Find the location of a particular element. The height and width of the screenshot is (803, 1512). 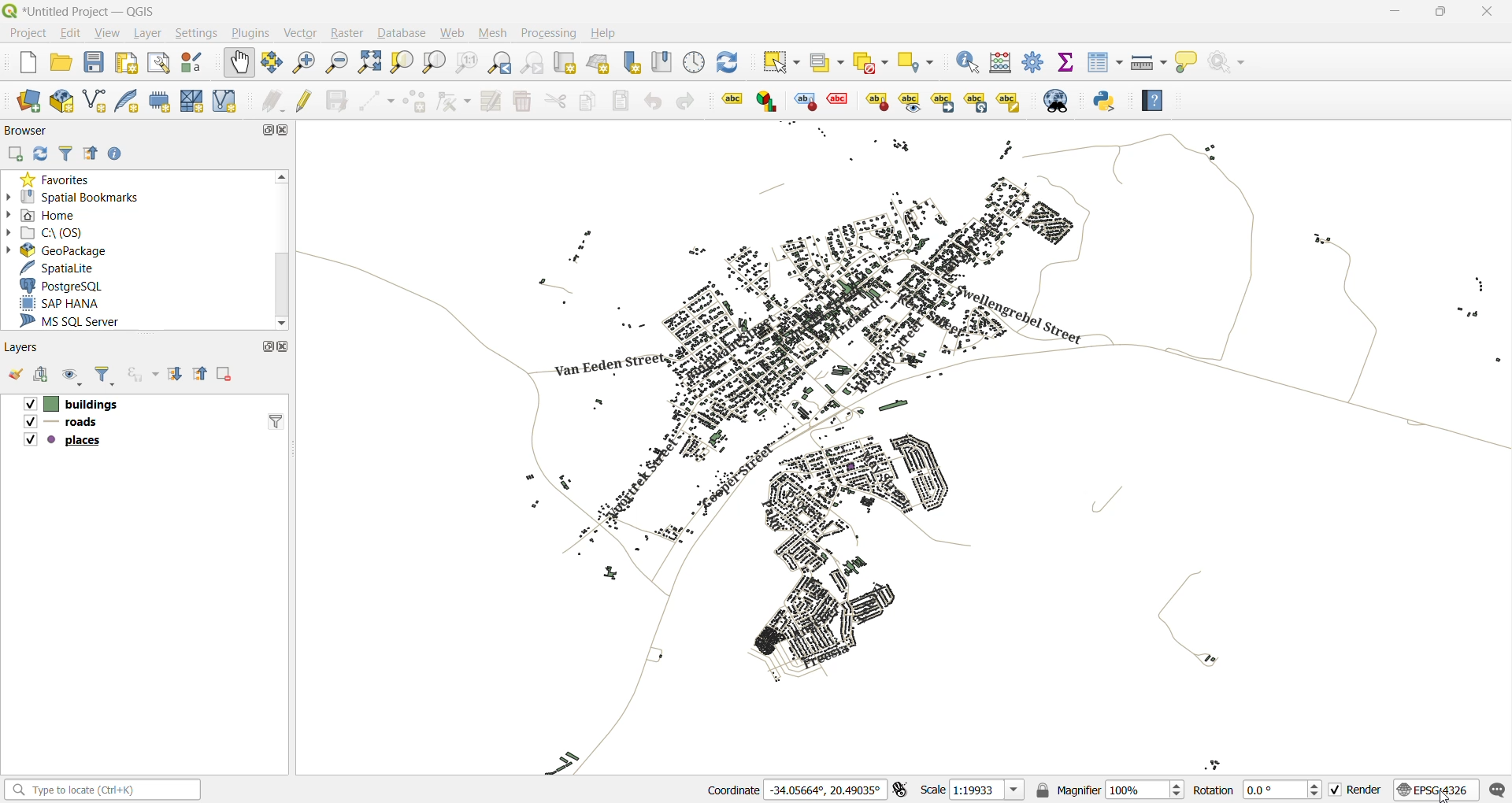

cut is located at coordinates (553, 101).